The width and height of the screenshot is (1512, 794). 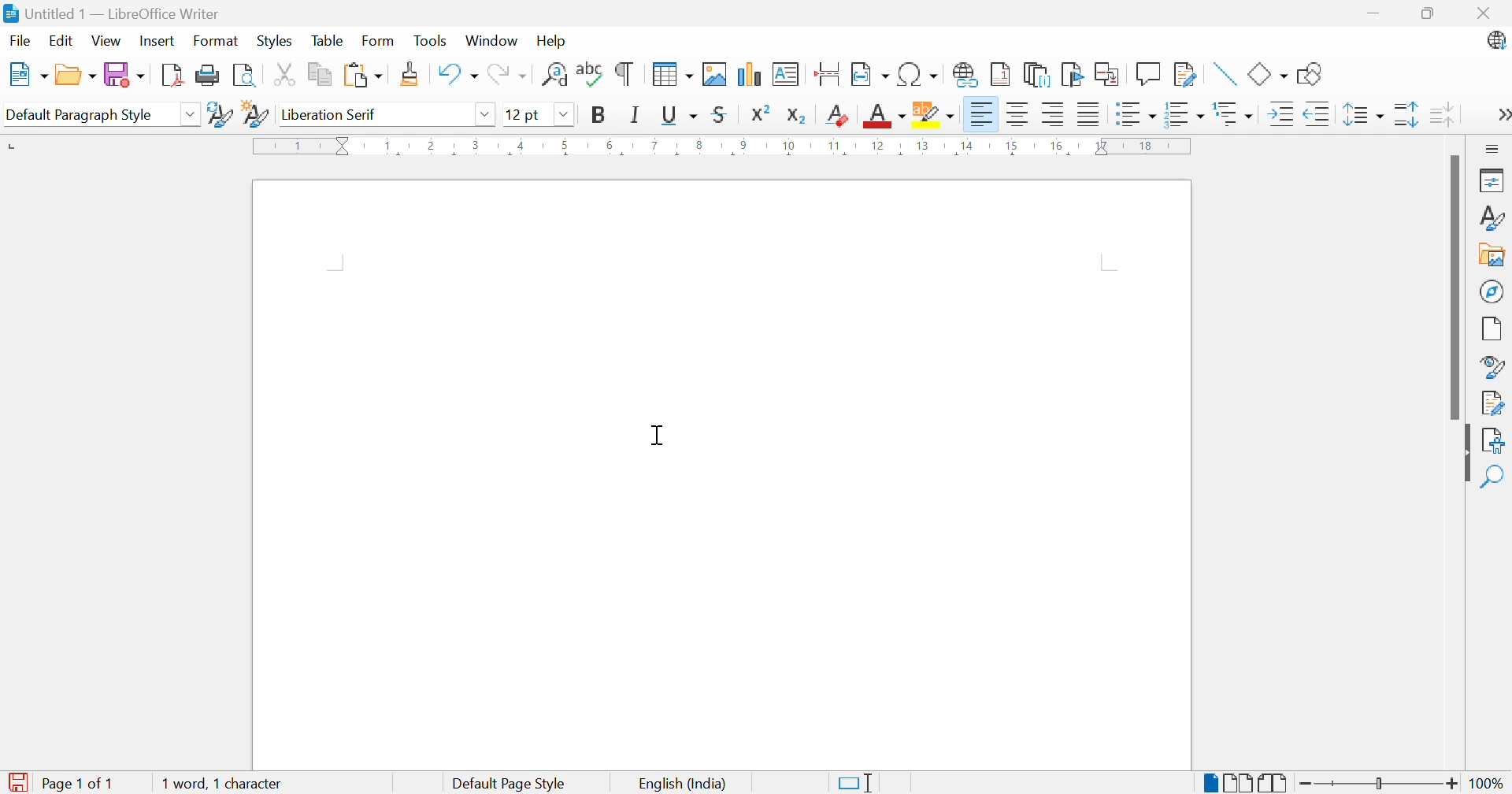 I want to click on Strikethrough, so click(x=721, y=114).